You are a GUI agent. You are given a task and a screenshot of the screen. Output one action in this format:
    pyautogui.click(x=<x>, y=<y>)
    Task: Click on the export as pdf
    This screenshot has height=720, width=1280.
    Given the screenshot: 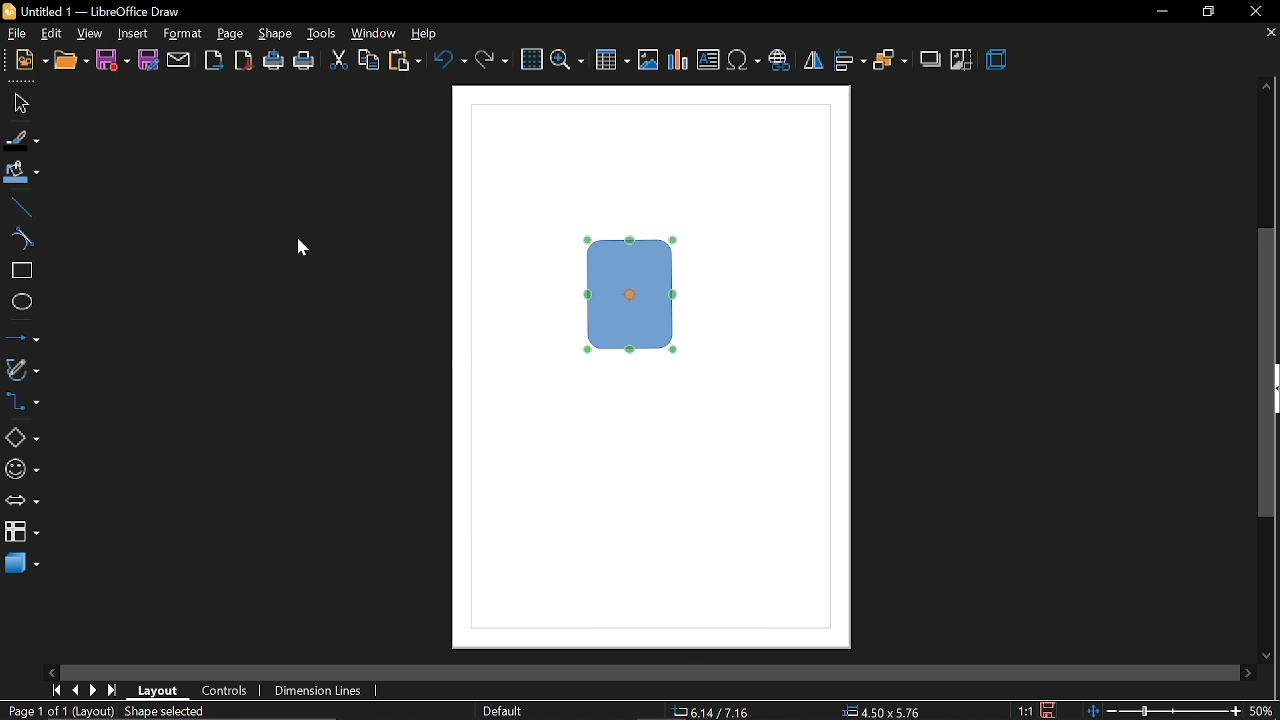 What is the action you would take?
    pyautogui.click(x=245, y=59)
    